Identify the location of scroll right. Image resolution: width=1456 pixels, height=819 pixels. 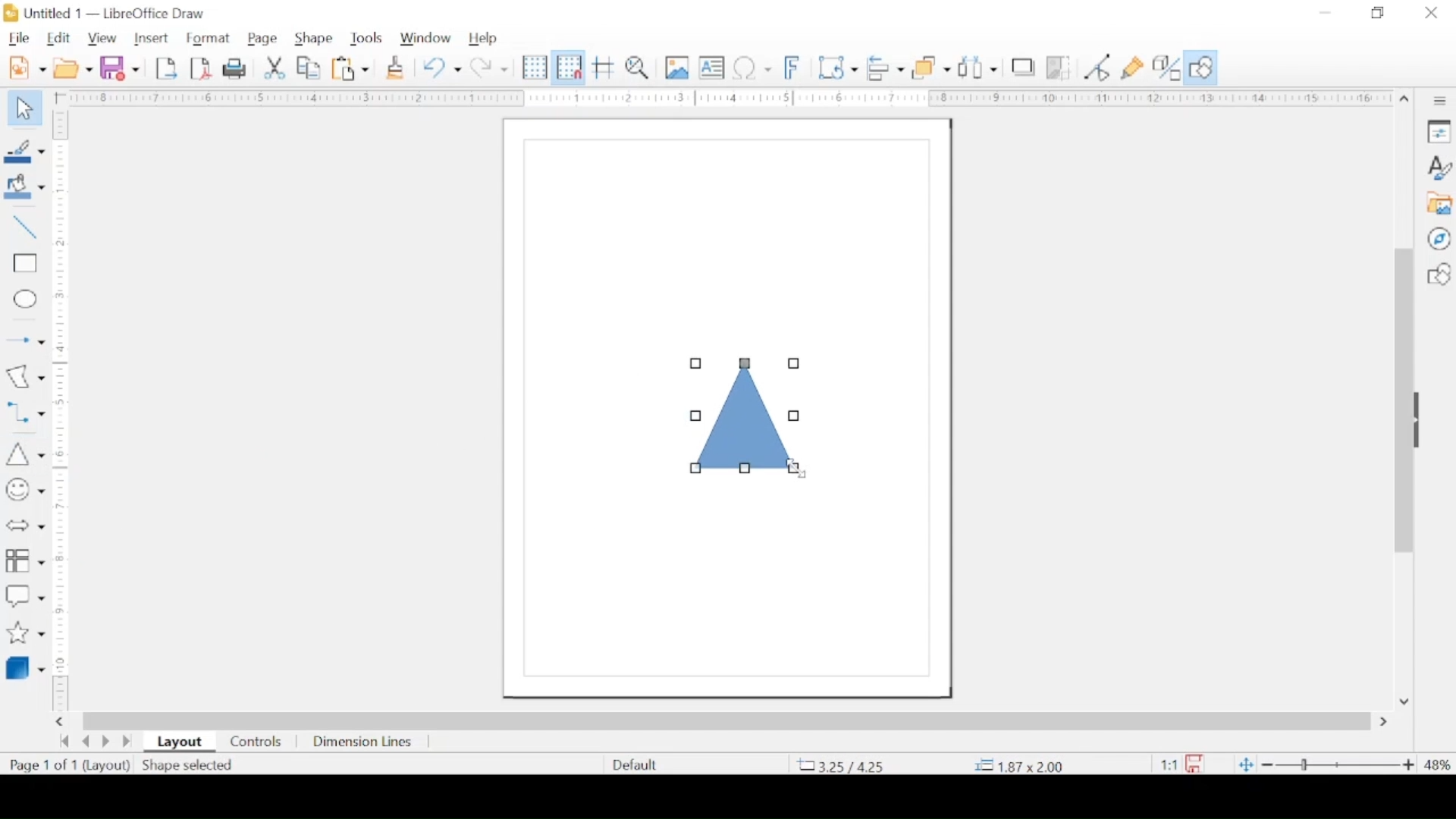
(62, 721).